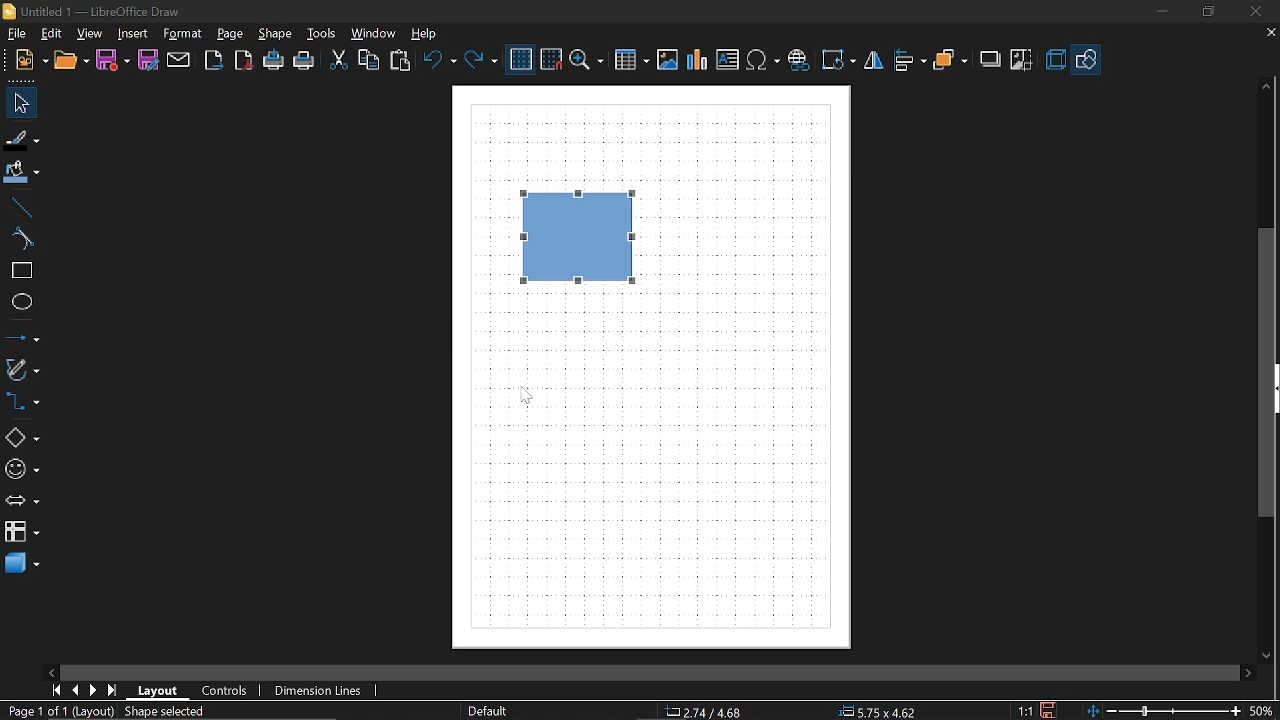 This screenshot has height=720, width=1280. Describe the element at coordinates (910, 61) in the screenshot. I see `Allign` at that location.